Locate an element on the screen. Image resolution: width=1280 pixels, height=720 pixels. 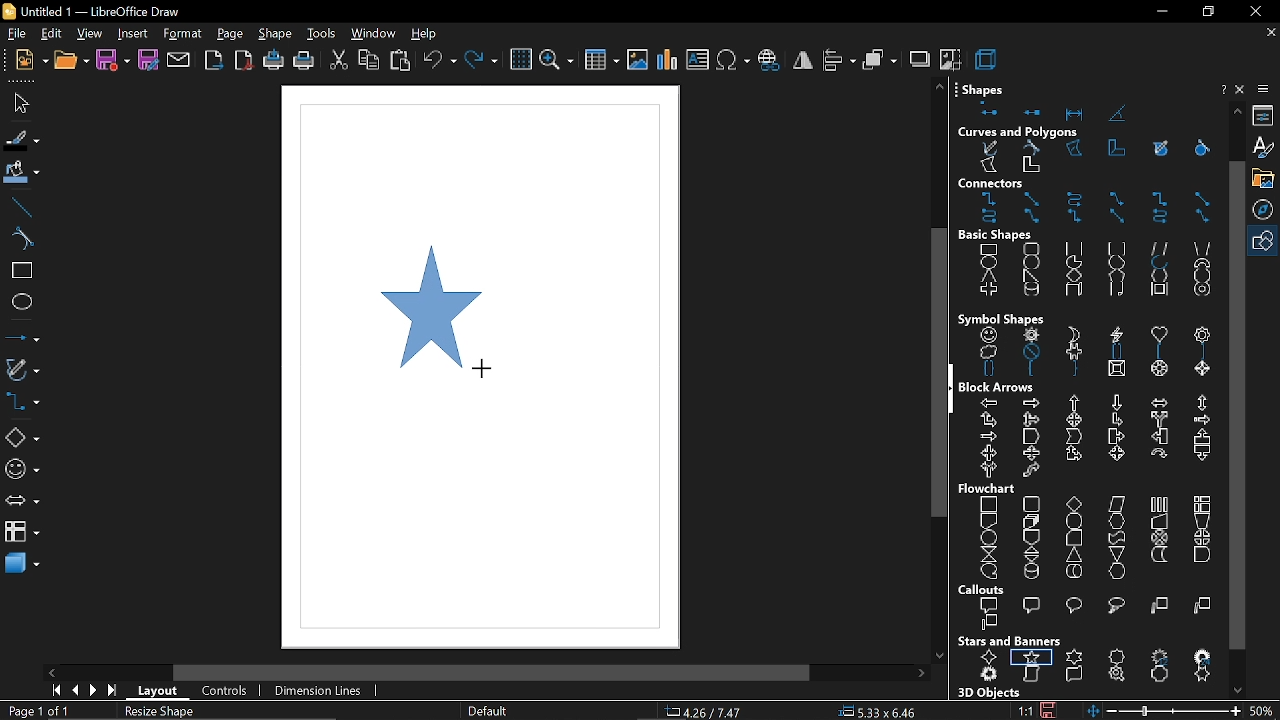
attach is located at coordinates (180, 61).